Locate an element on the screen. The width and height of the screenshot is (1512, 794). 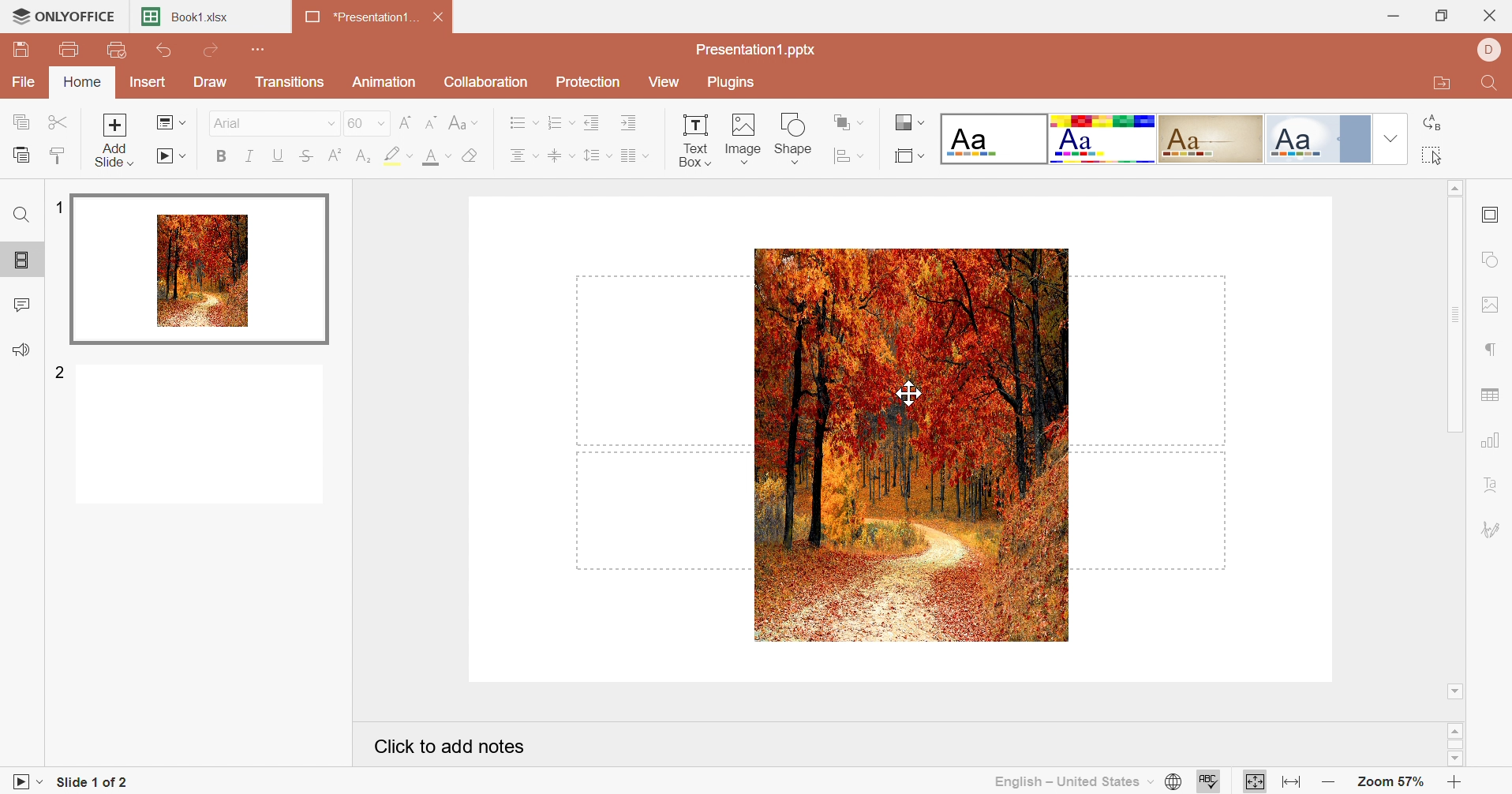
Decrement font size is located at coordinates (434, 122).